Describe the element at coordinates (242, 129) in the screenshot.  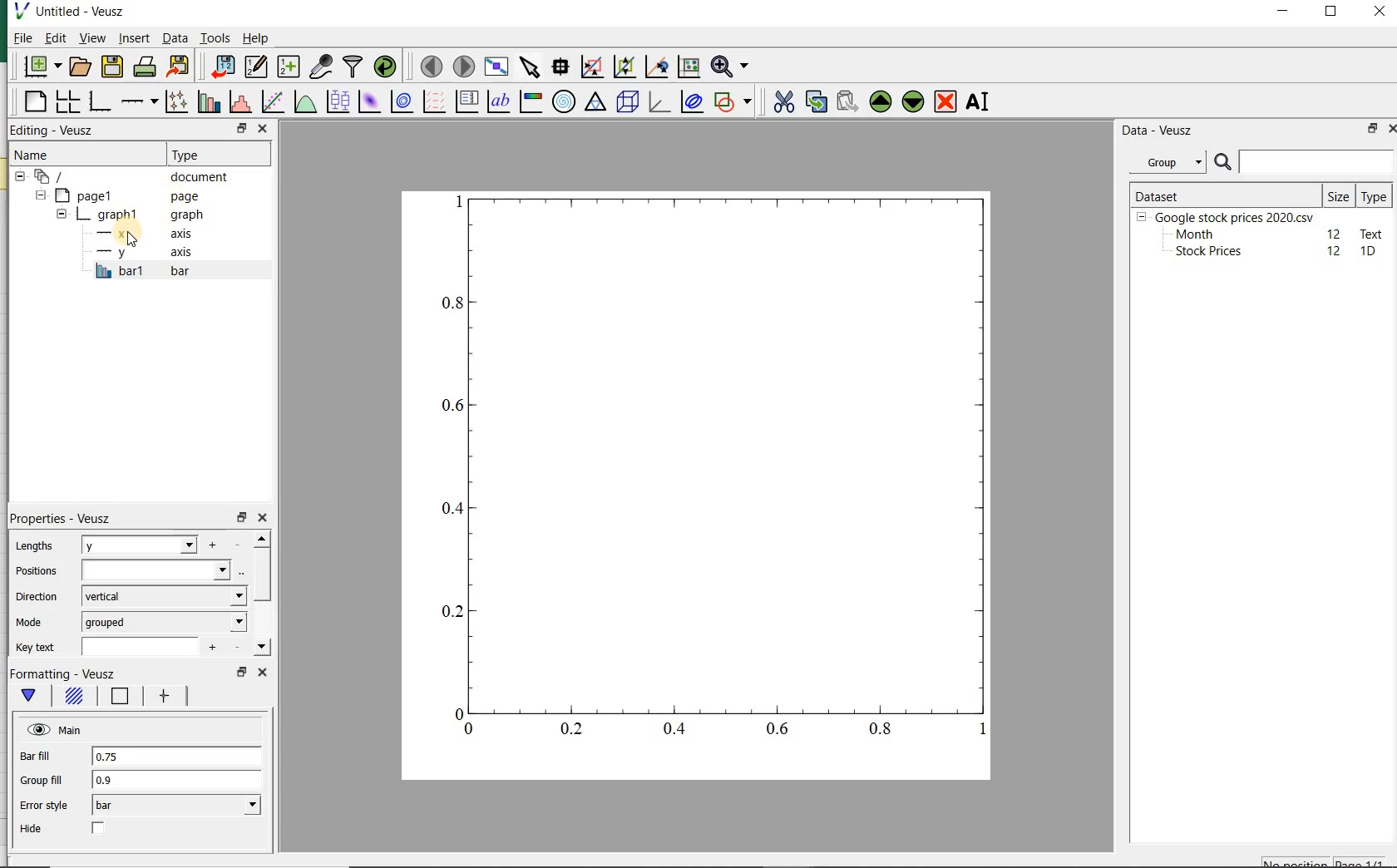
I see `restore` at that location.